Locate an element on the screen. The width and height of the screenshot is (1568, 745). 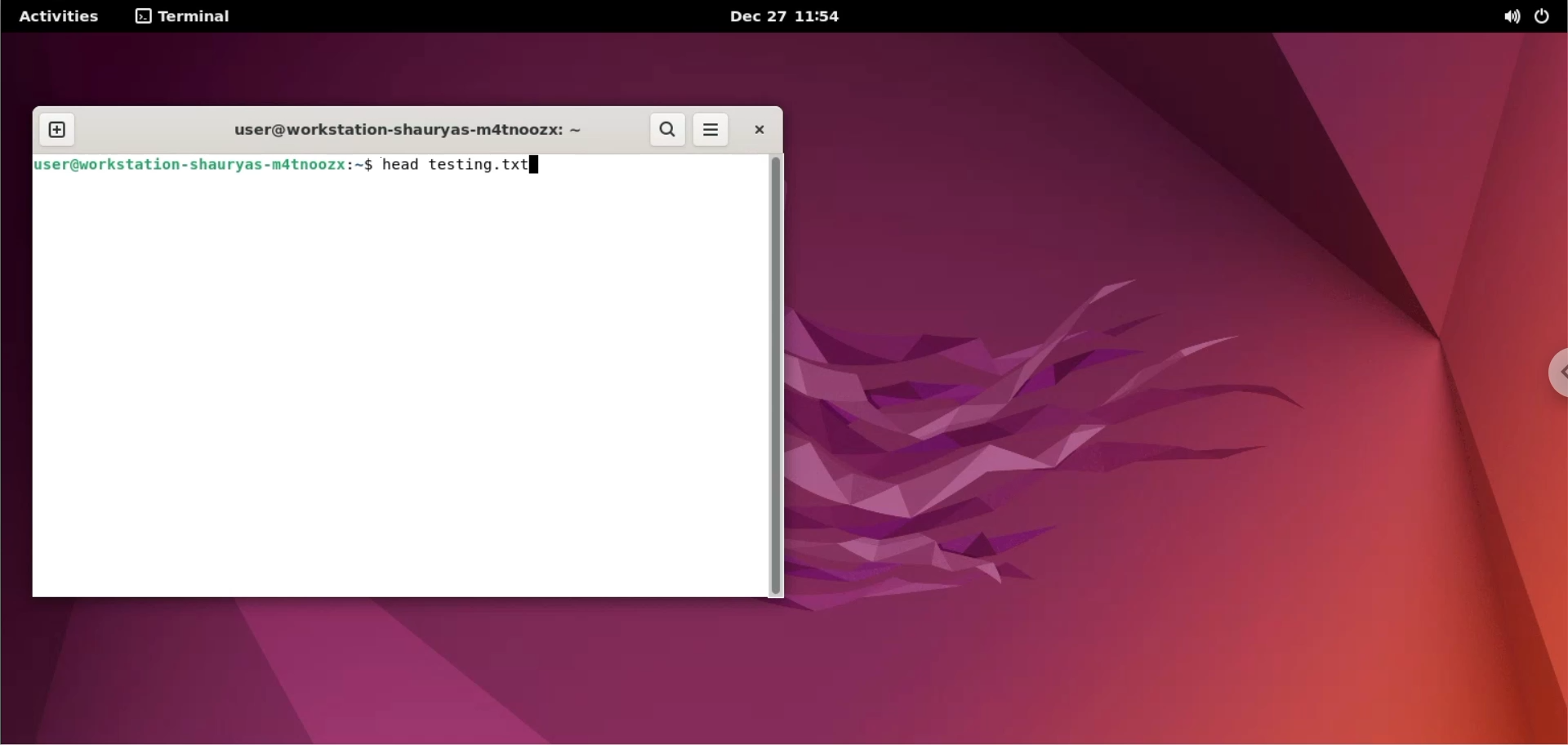
date and time dec 27 11:54 is located at coordinates (792, 18).